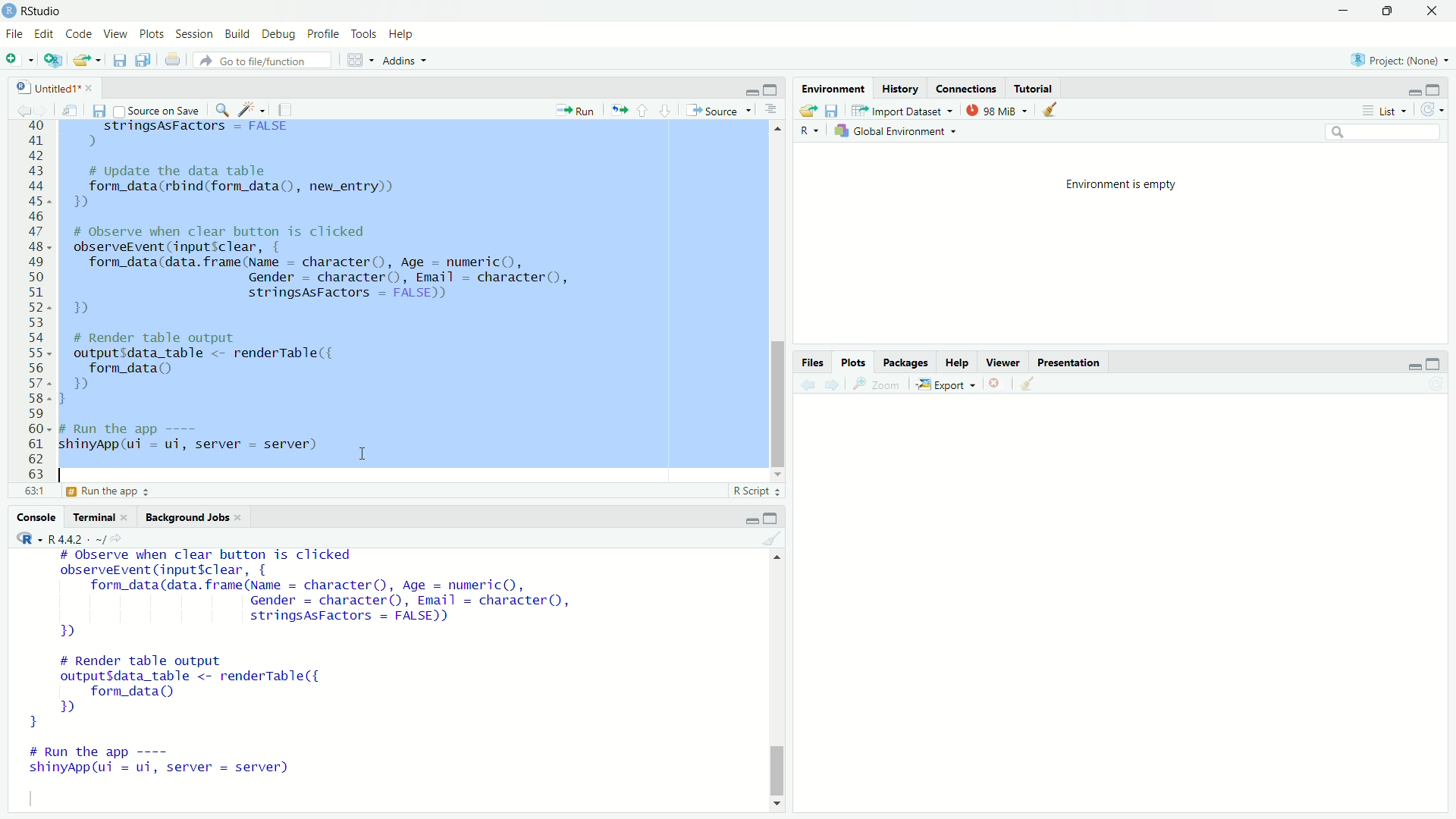 The height and width of the screenshot is (819, 1456). What do you see at coordinates (180, 765) in the screenshot?
I see `code to run the app` at bounding box center [180, 765].